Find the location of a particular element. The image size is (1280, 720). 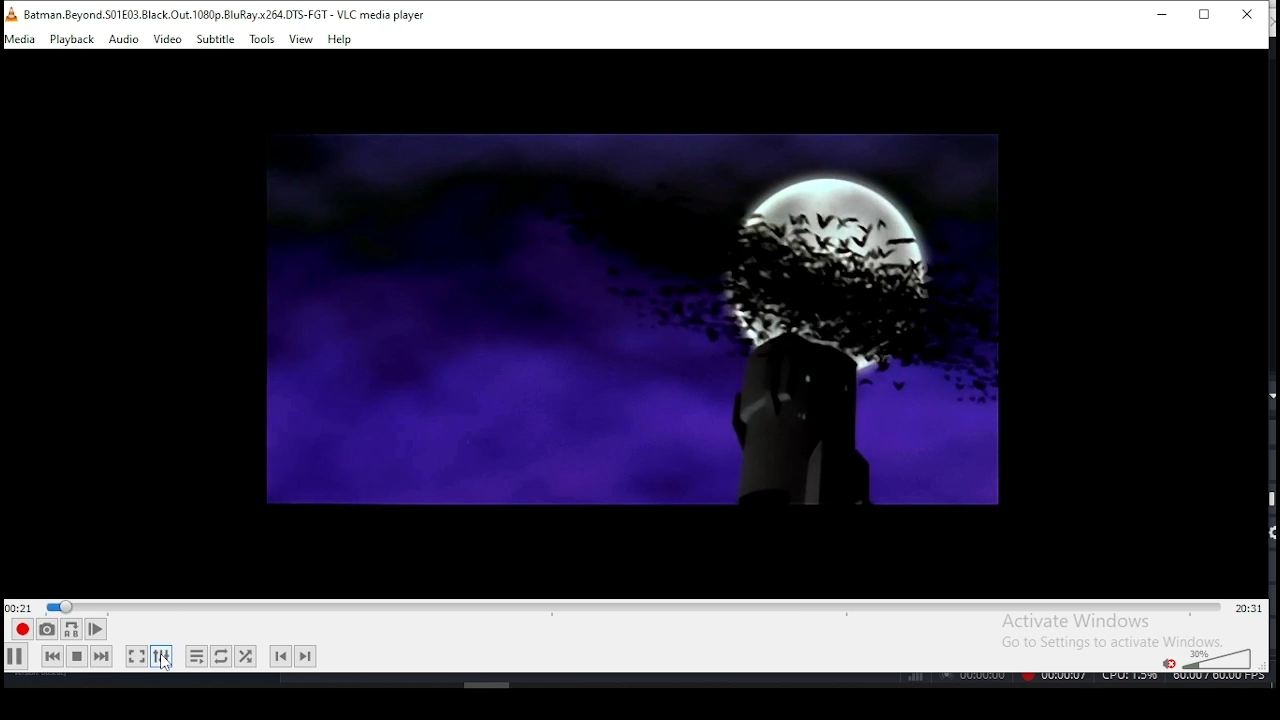

close window is located at coordinates (1248, 16).